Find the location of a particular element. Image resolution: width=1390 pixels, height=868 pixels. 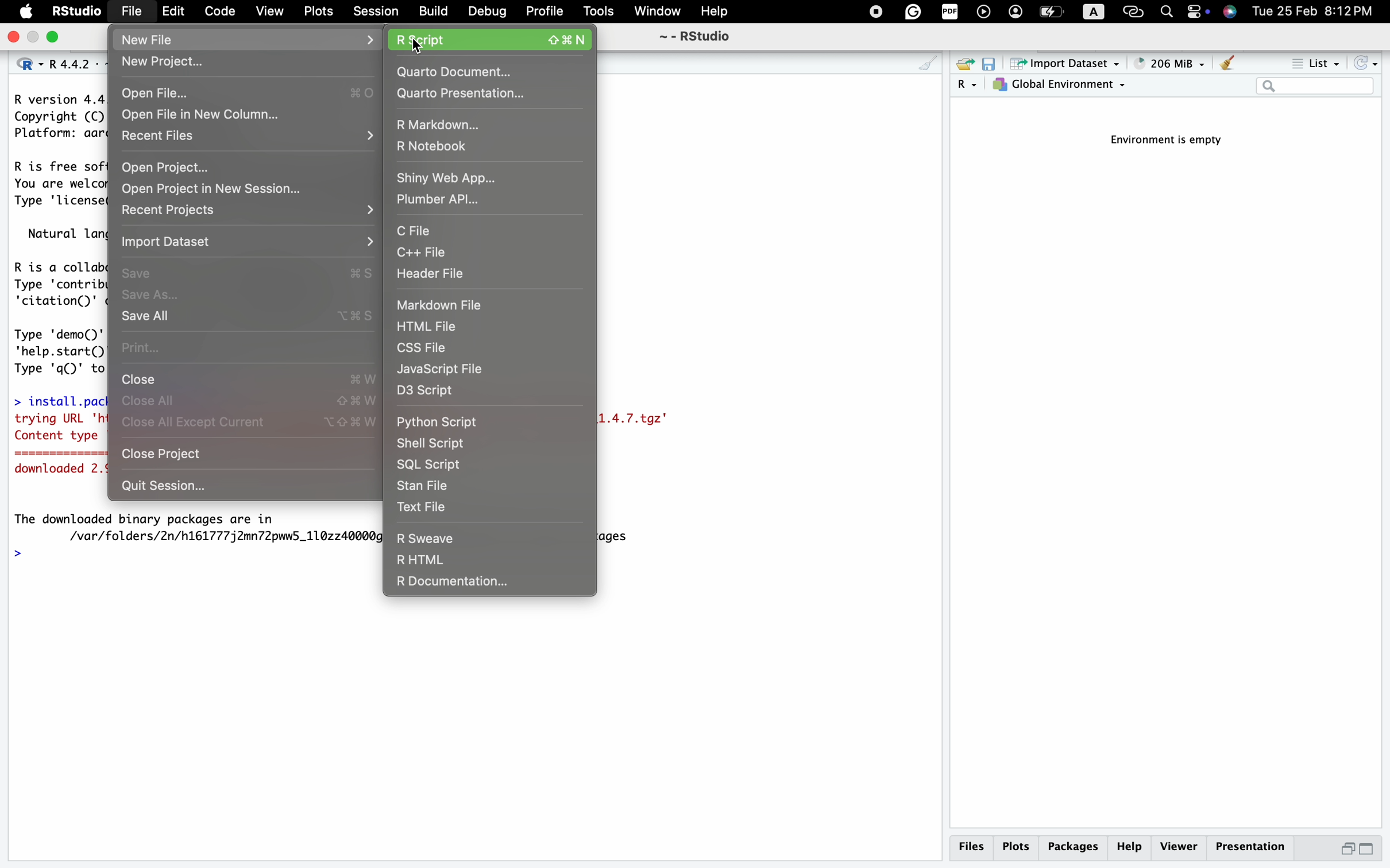

description of version of R  is located at coordinates (54, 116).